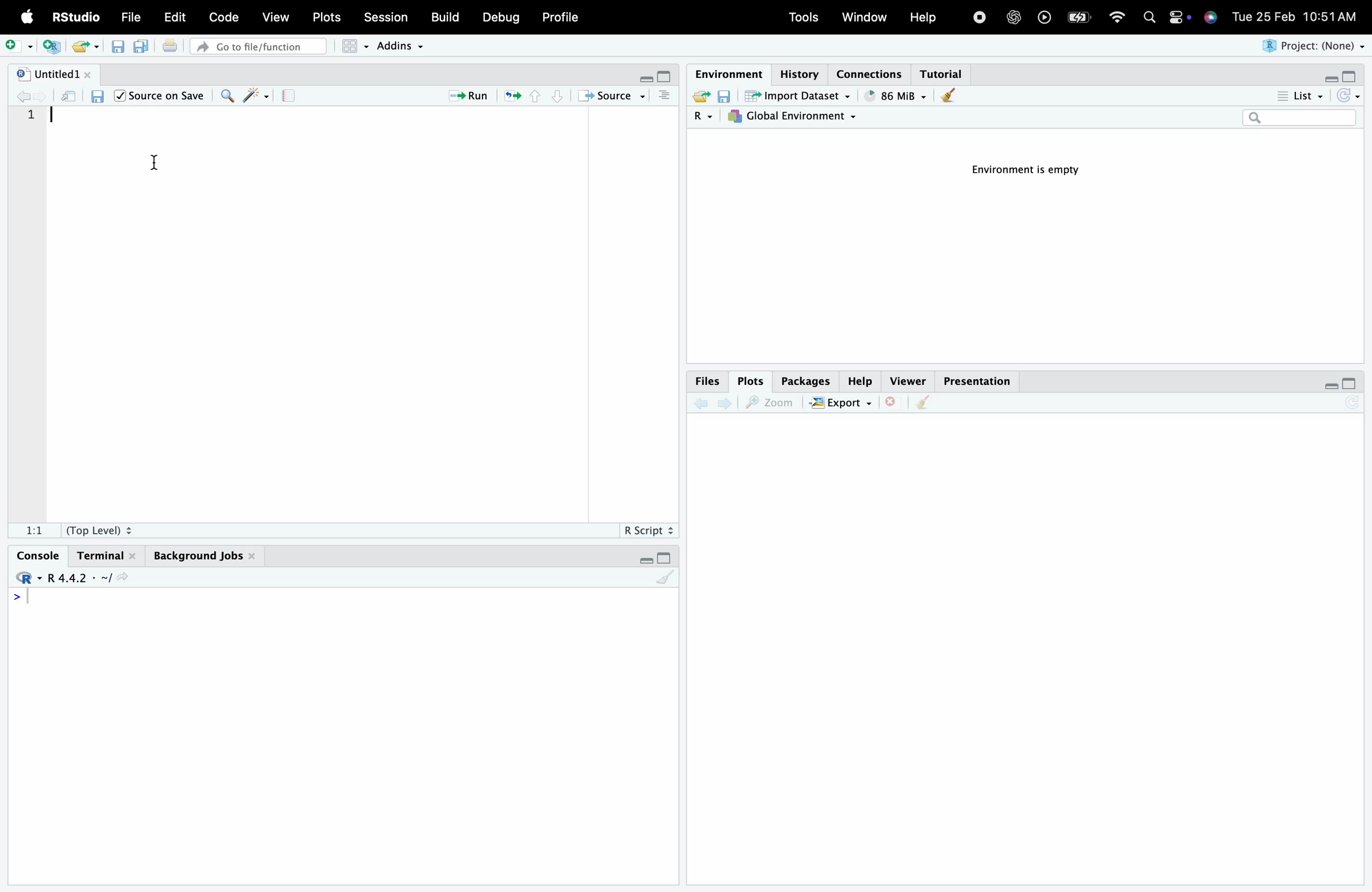 The width and height of the screenshot is (1372, 892). What do you see at coordinates (1351, 96) in the screenshot?
I see `reload` at bounding box center [1351, 96].